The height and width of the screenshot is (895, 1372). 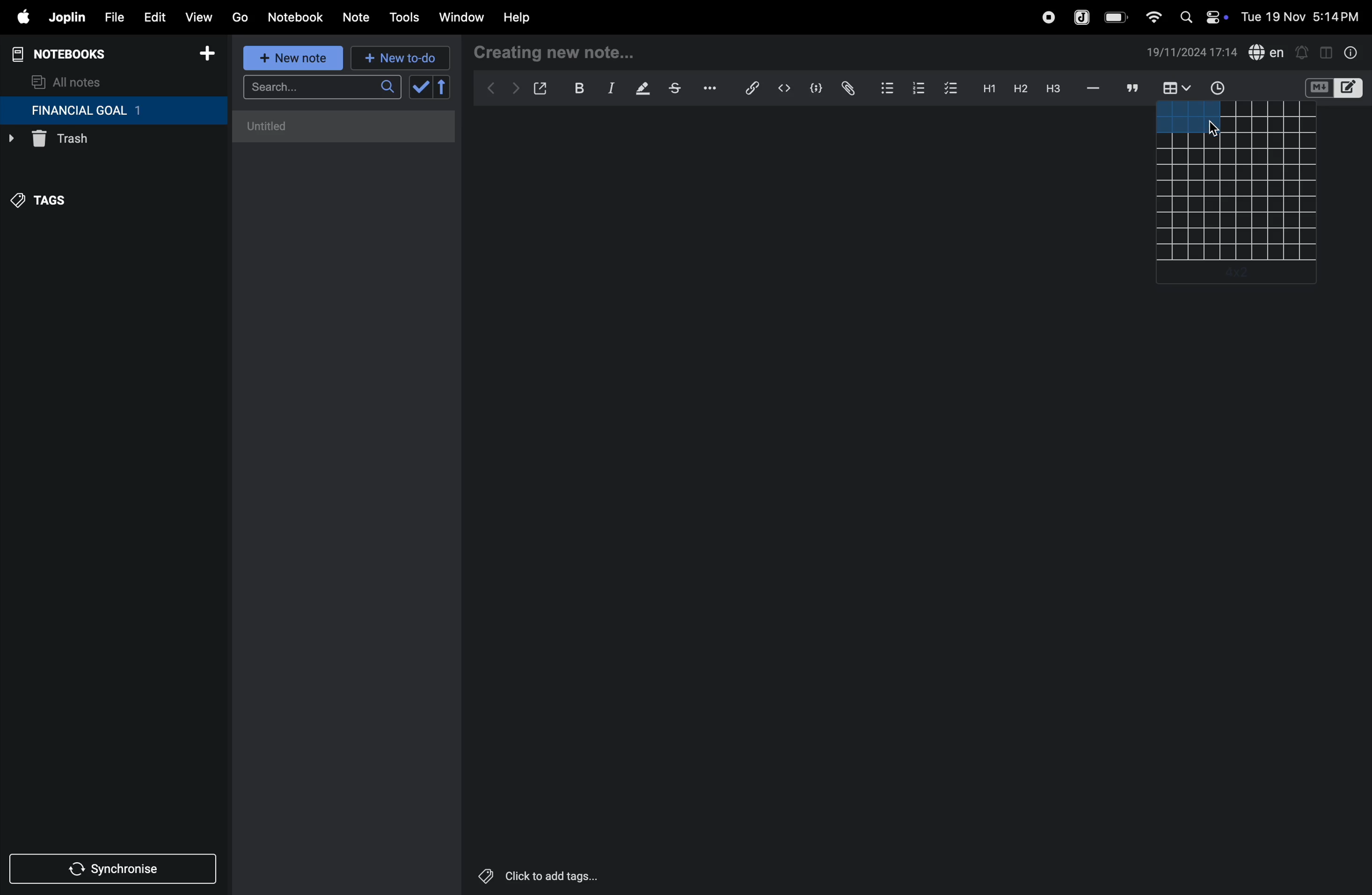 I want to click on add, so click(x=1234, y=277).